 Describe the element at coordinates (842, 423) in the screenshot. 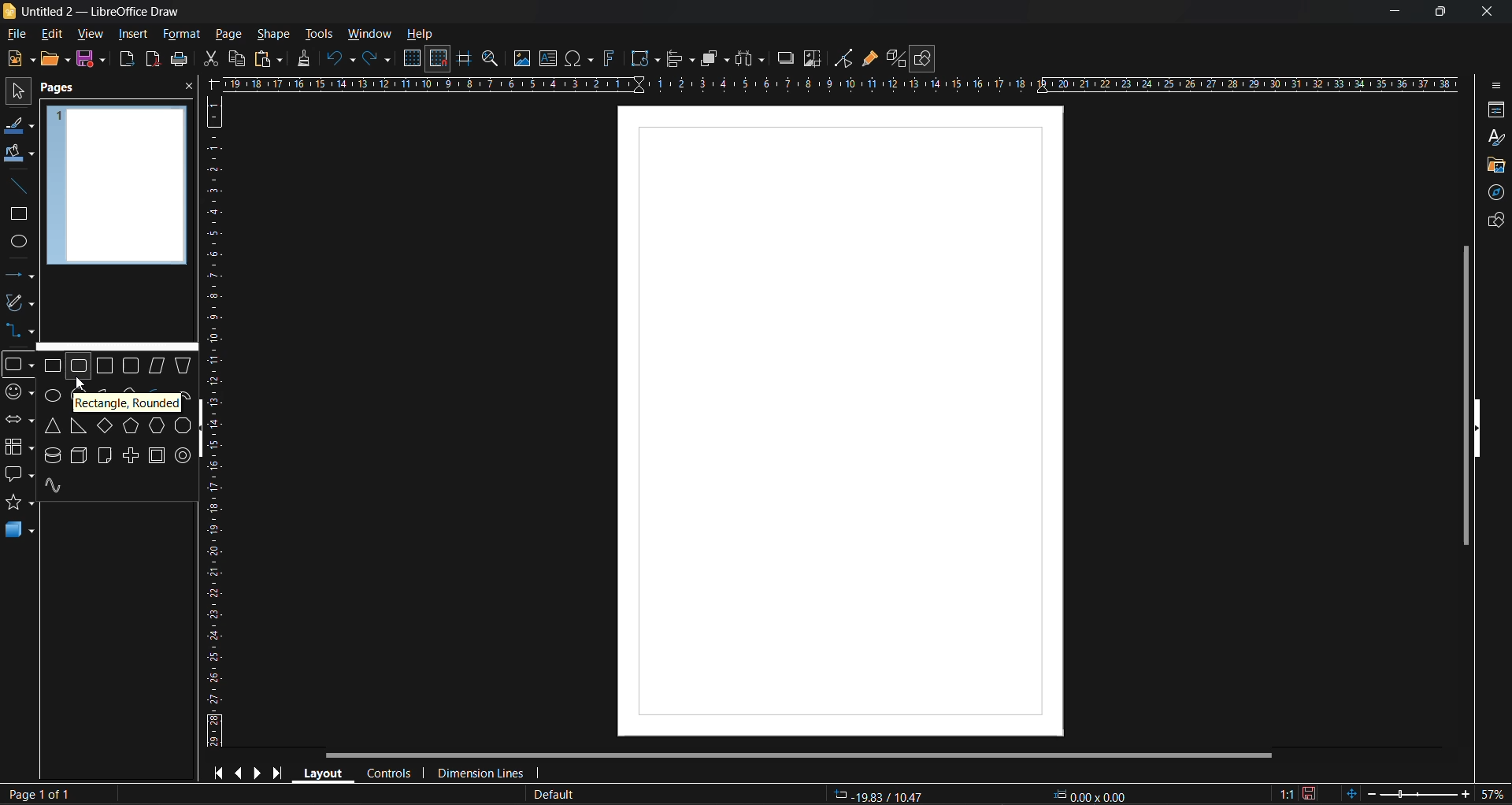

I see `page` at that location.